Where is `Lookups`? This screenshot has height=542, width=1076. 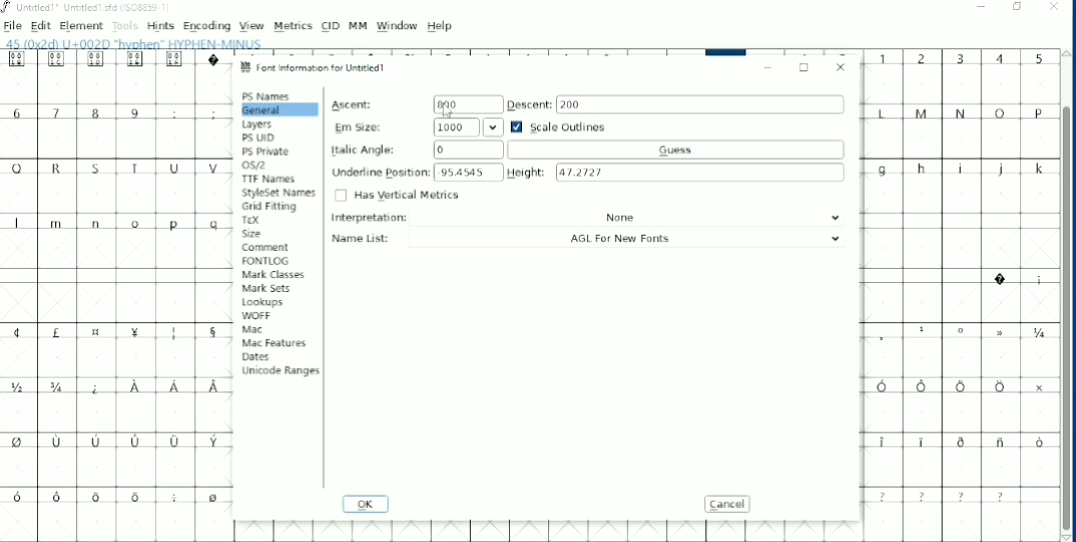 Lookups is located at coordinates (262, 303).